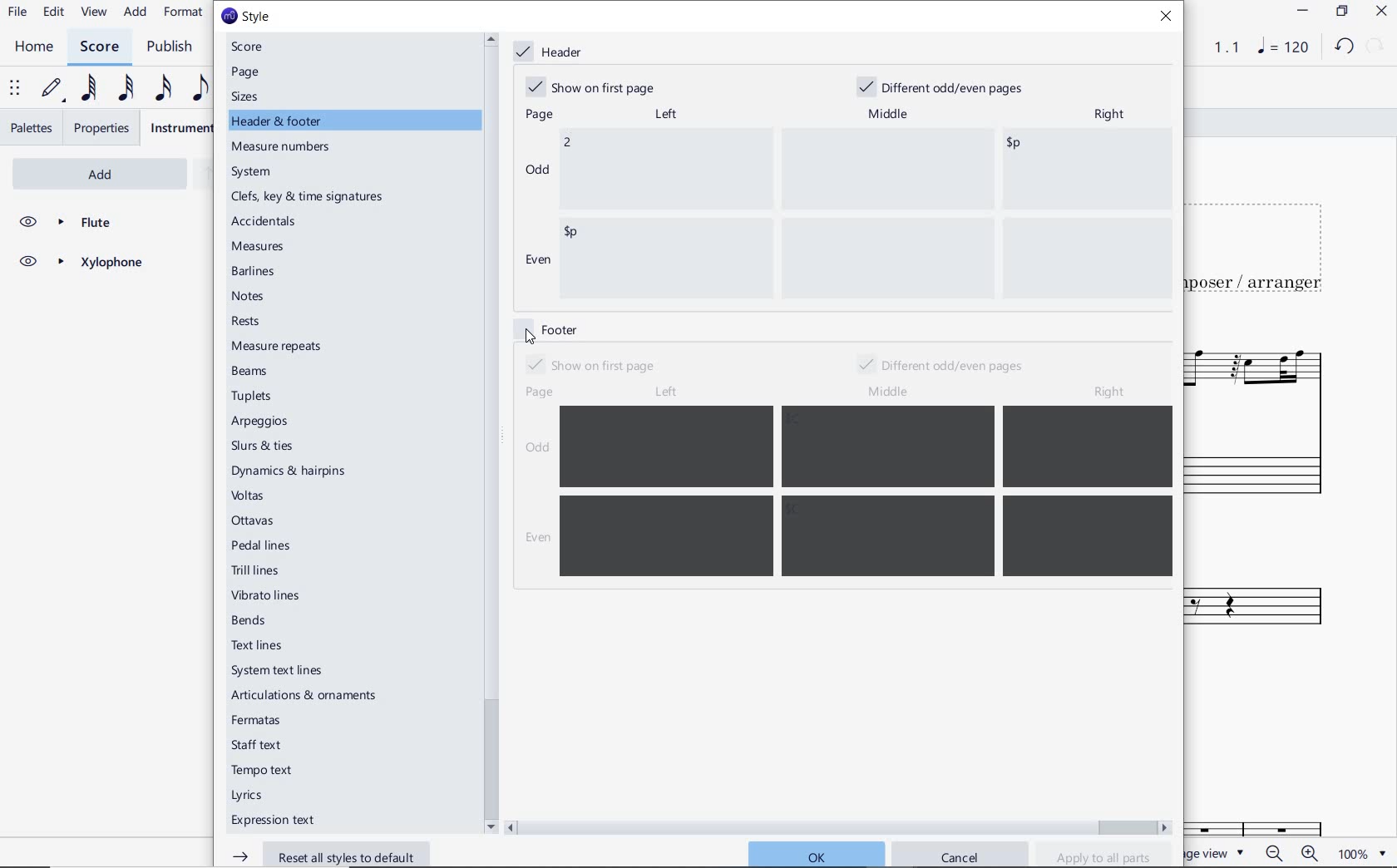 The image size is (1397, 868). What do you see at coordinates (52, 91) in the screenshot?
I see `DEFAULT (STEP TIME)` at bounding box center [52, 91].